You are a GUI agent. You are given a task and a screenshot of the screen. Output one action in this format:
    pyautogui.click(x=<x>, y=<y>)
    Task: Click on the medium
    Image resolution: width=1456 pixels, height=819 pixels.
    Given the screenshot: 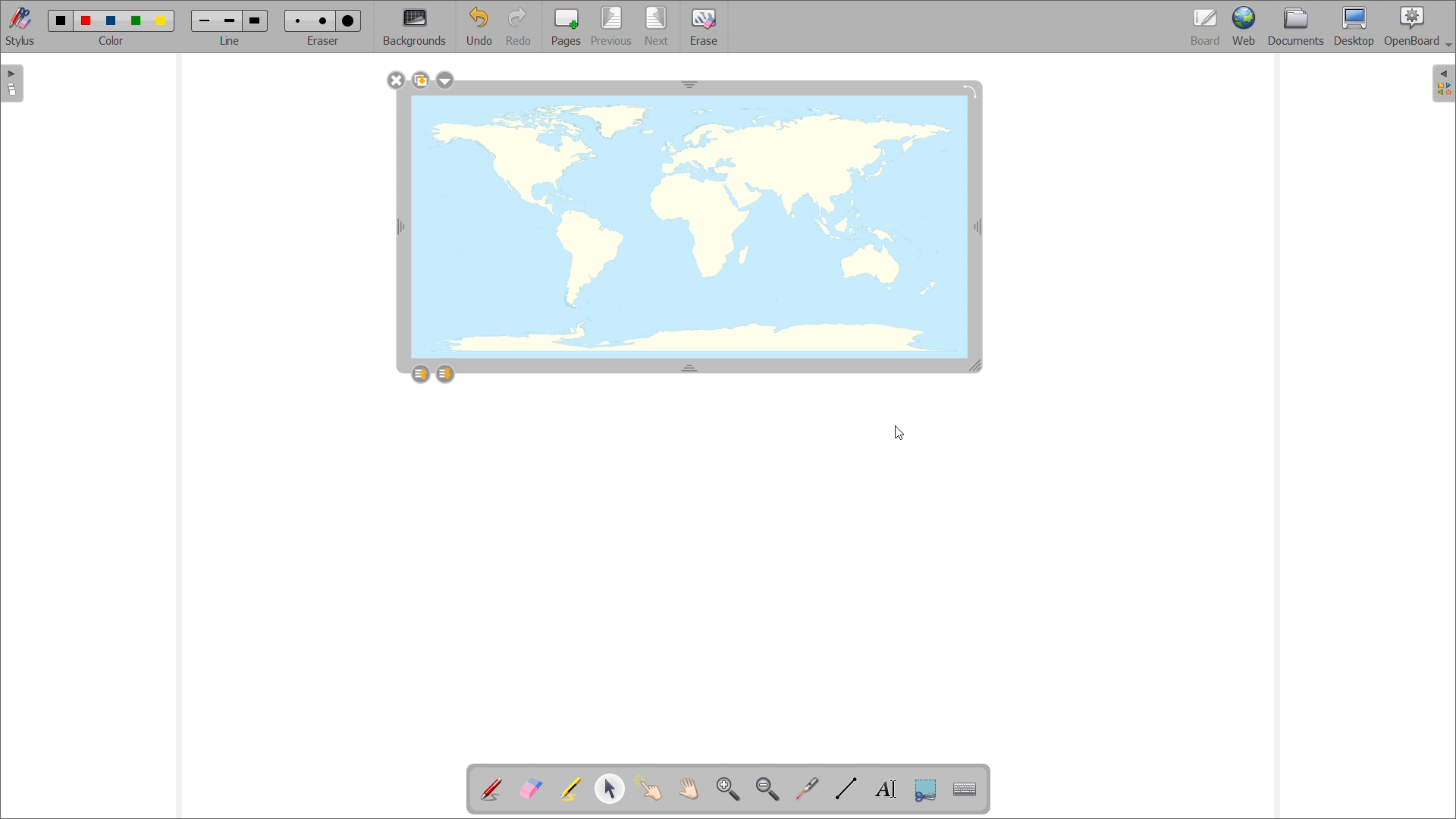 What is the action you would take?
    pyautogui.click(x=229, y=22)
    